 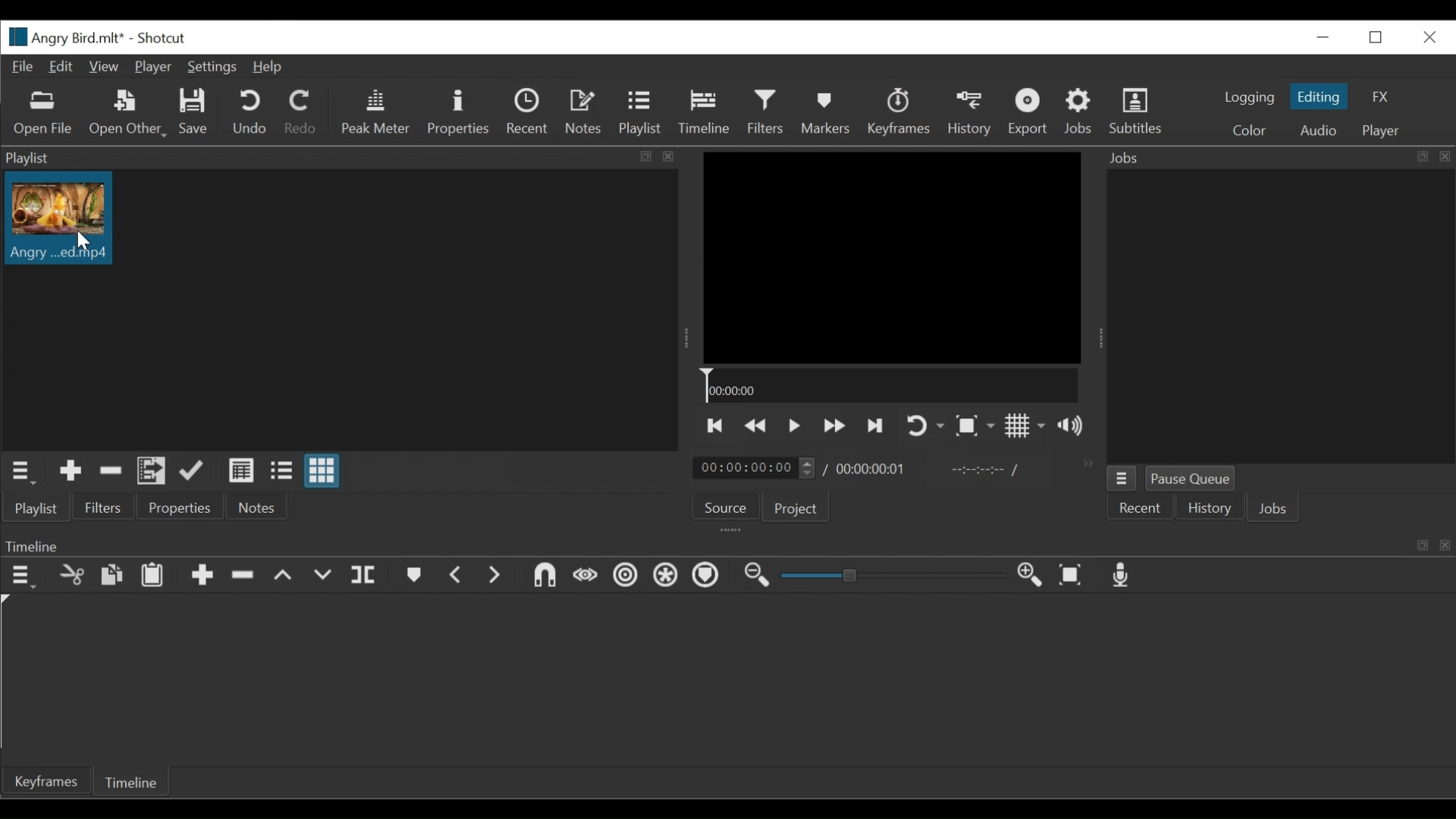 I want to click on lift, so click(x=285, y=575).